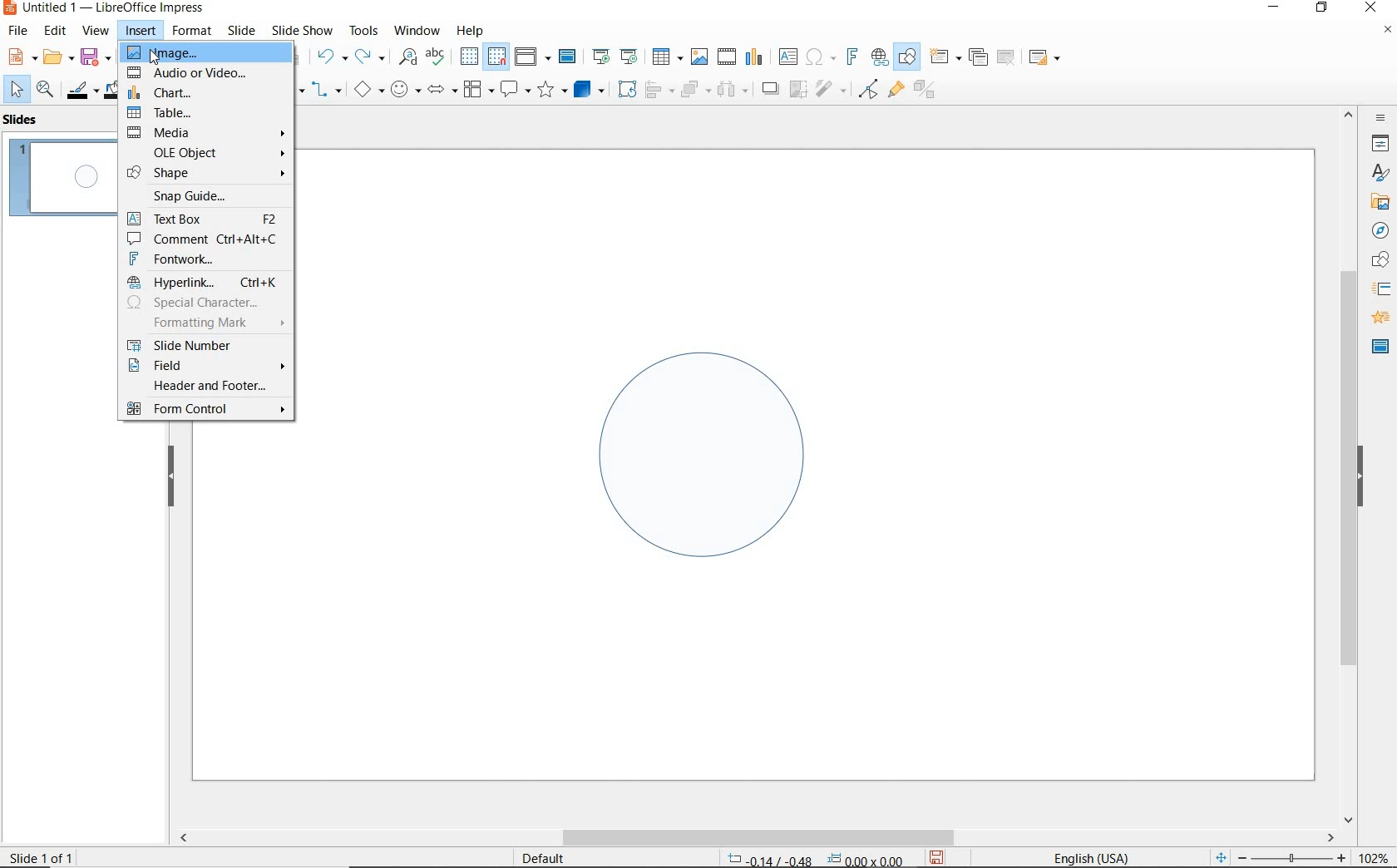 The width and height of the screenshot is (1397, 868). Describe the element at coordinates (850, 57) in the screenshot. I see `insert fontwork text` at that location.